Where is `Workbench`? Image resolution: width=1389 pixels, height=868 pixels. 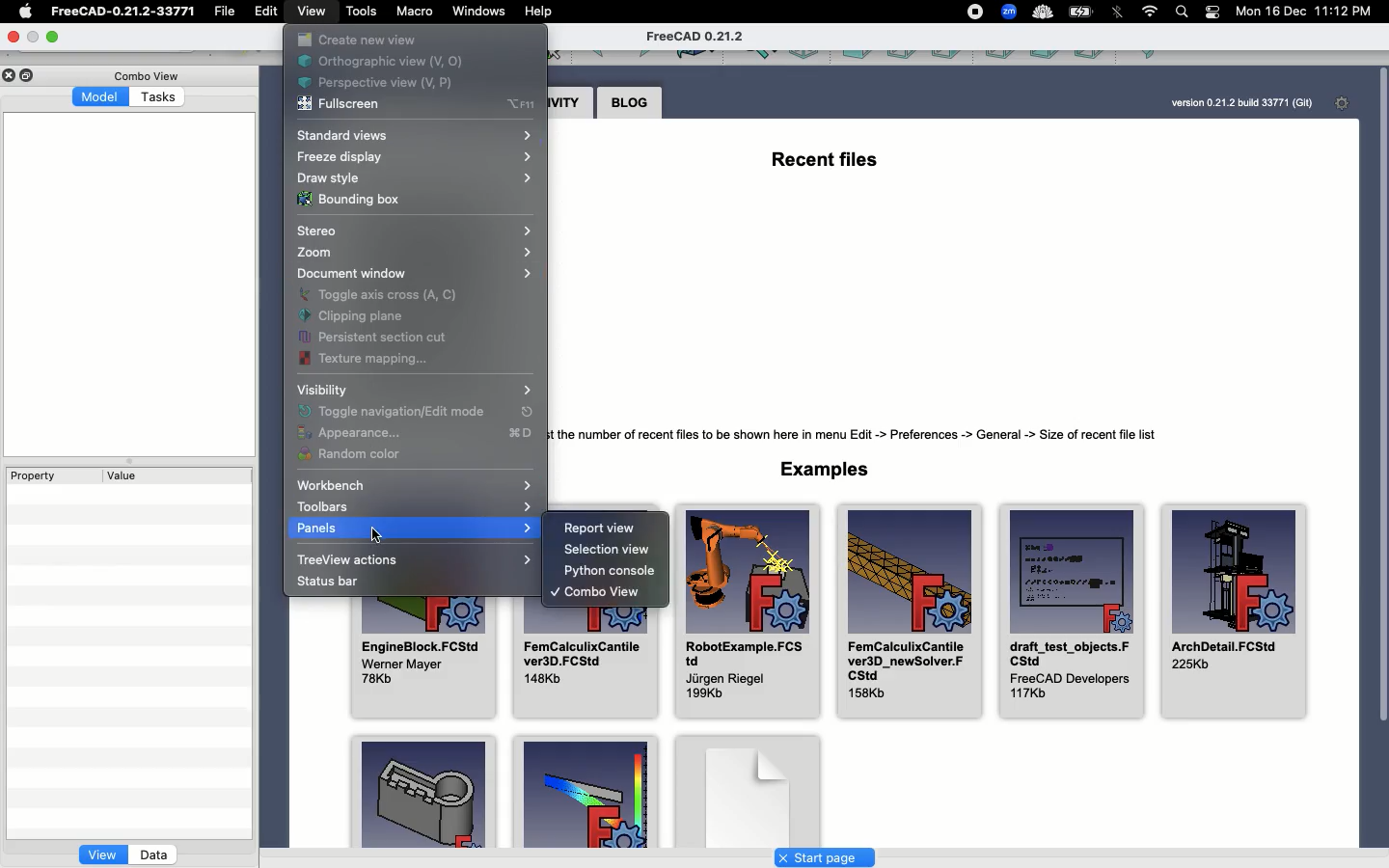
Workbench is located at coordinates (415, 485).